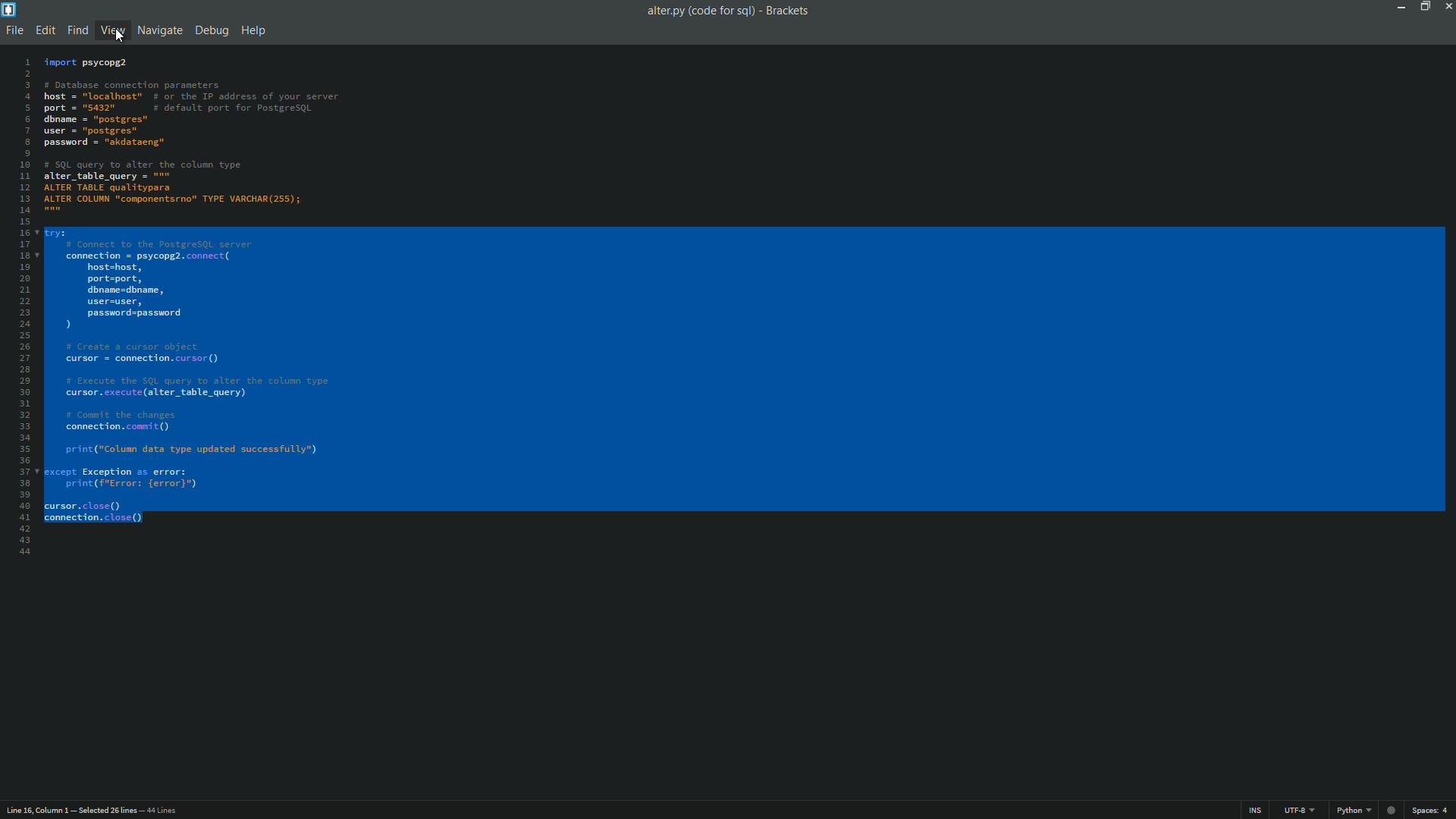 The width and height of the screenshot is (1456, 819). Describe the element at coordinates (790, 11) in the screenshot. I see `app name` at that location.